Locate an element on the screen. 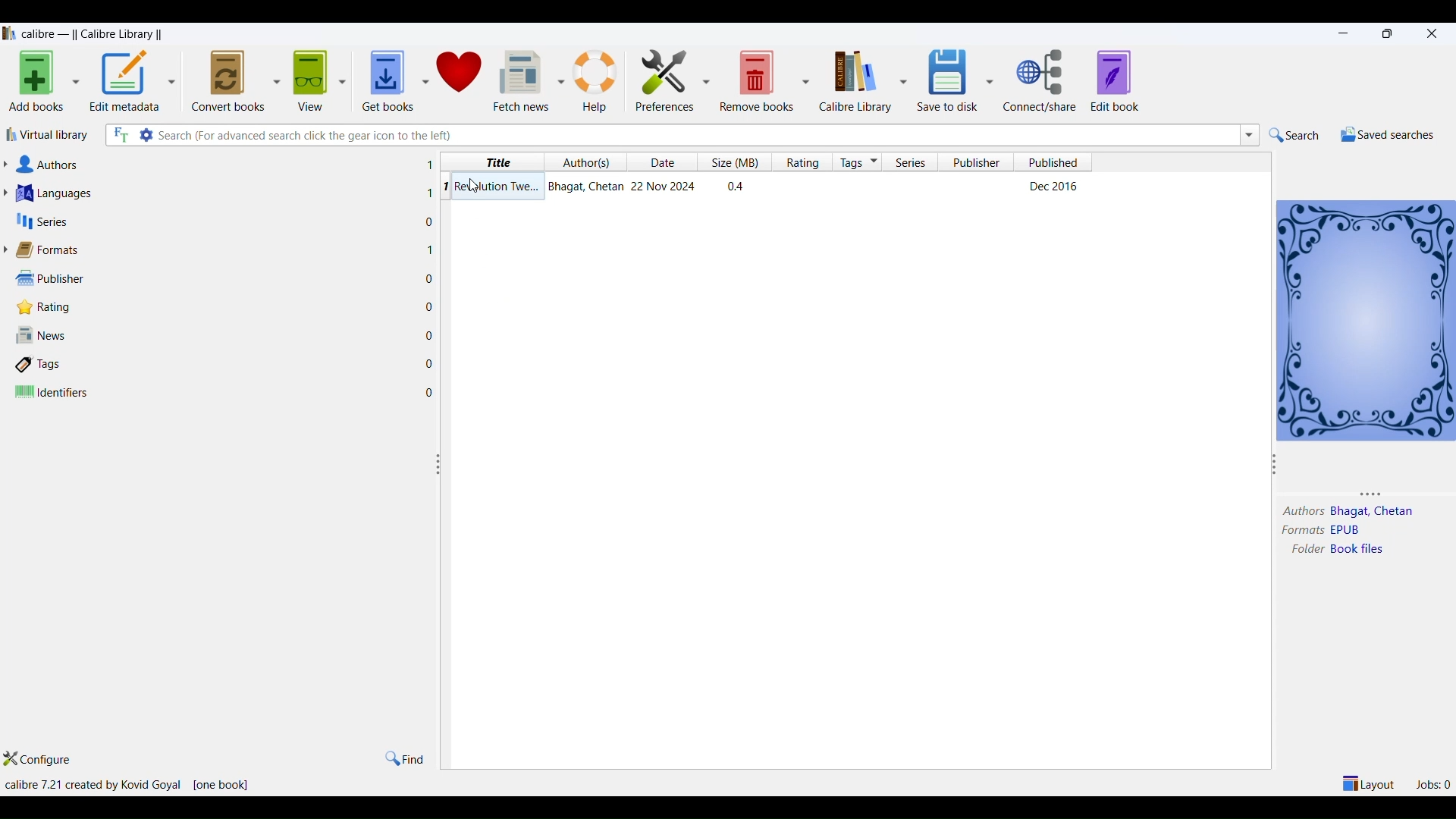  series is located at coordinates (44, 221).